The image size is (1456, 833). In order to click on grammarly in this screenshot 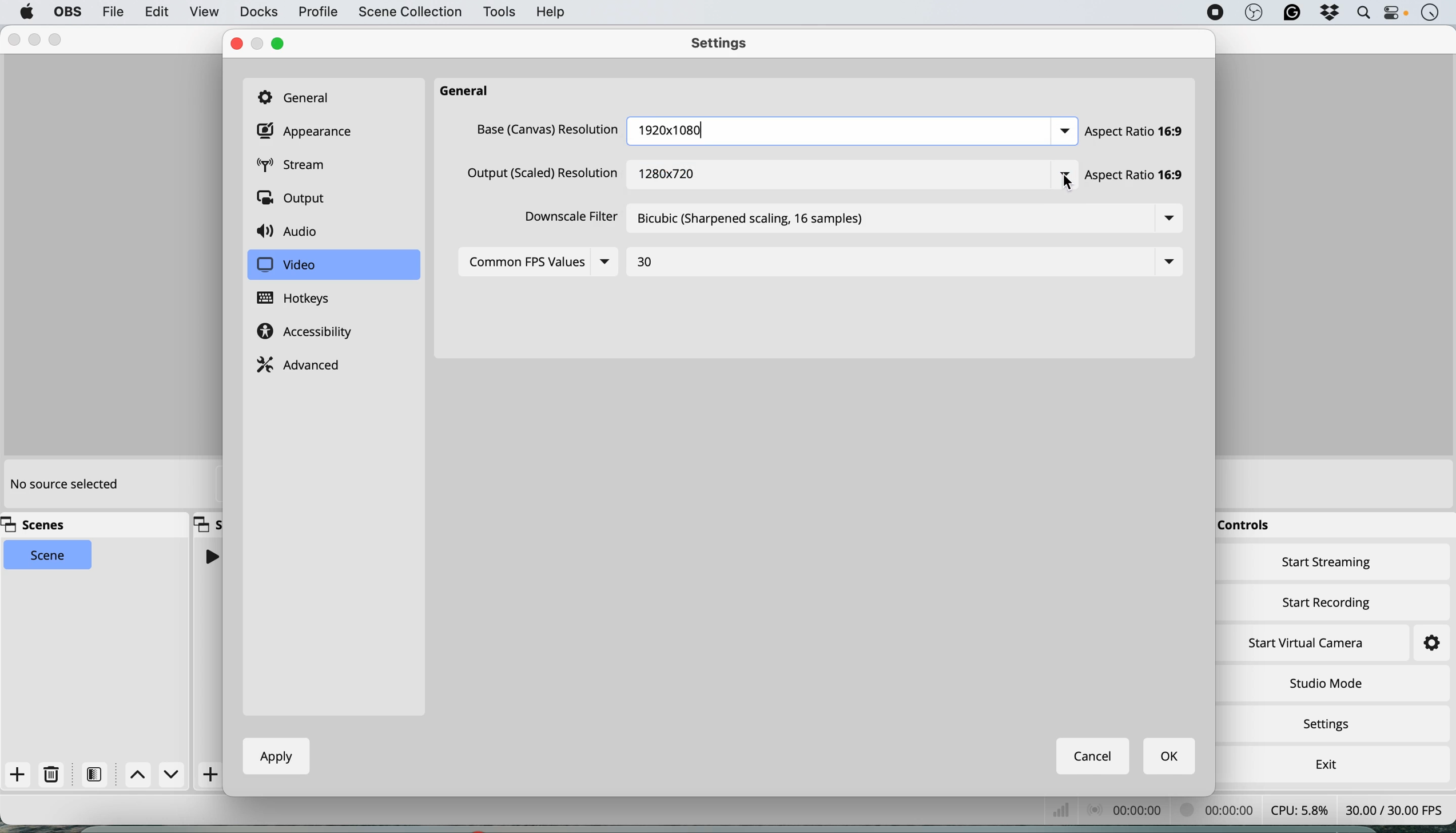, I will do `click(1292, 14)`.